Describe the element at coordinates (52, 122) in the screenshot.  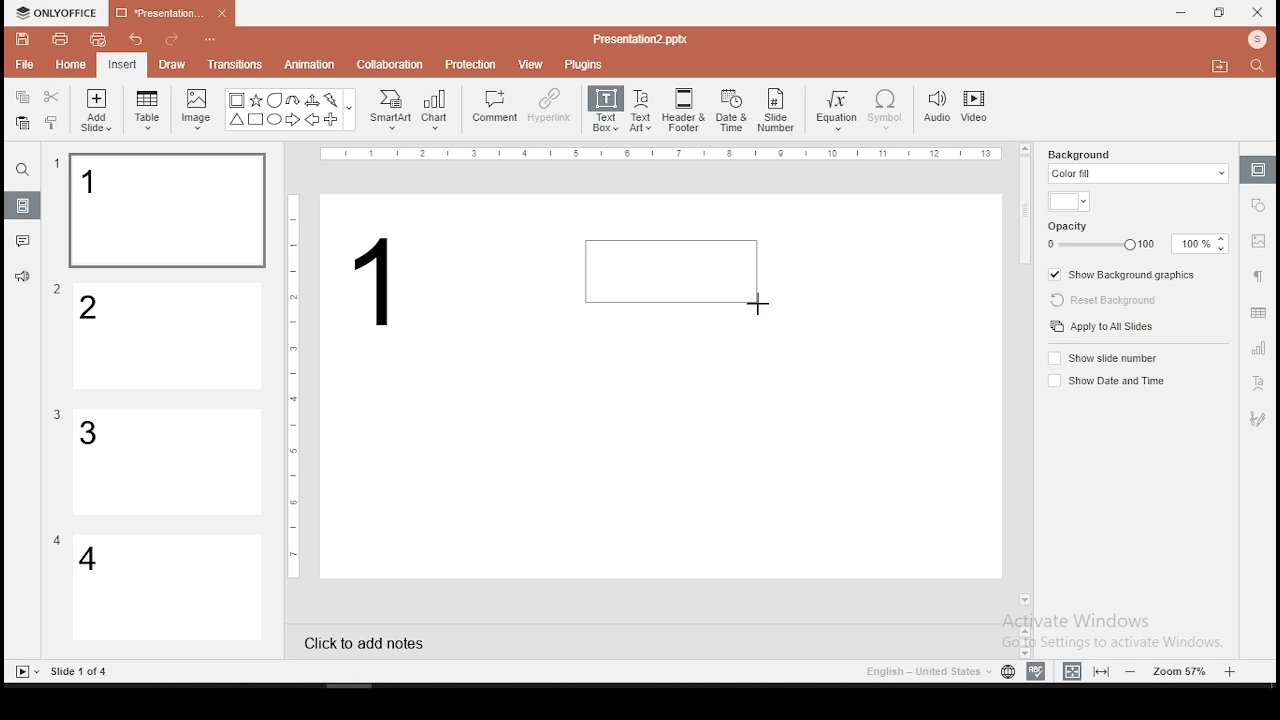
I see `clone formatting` at that location.